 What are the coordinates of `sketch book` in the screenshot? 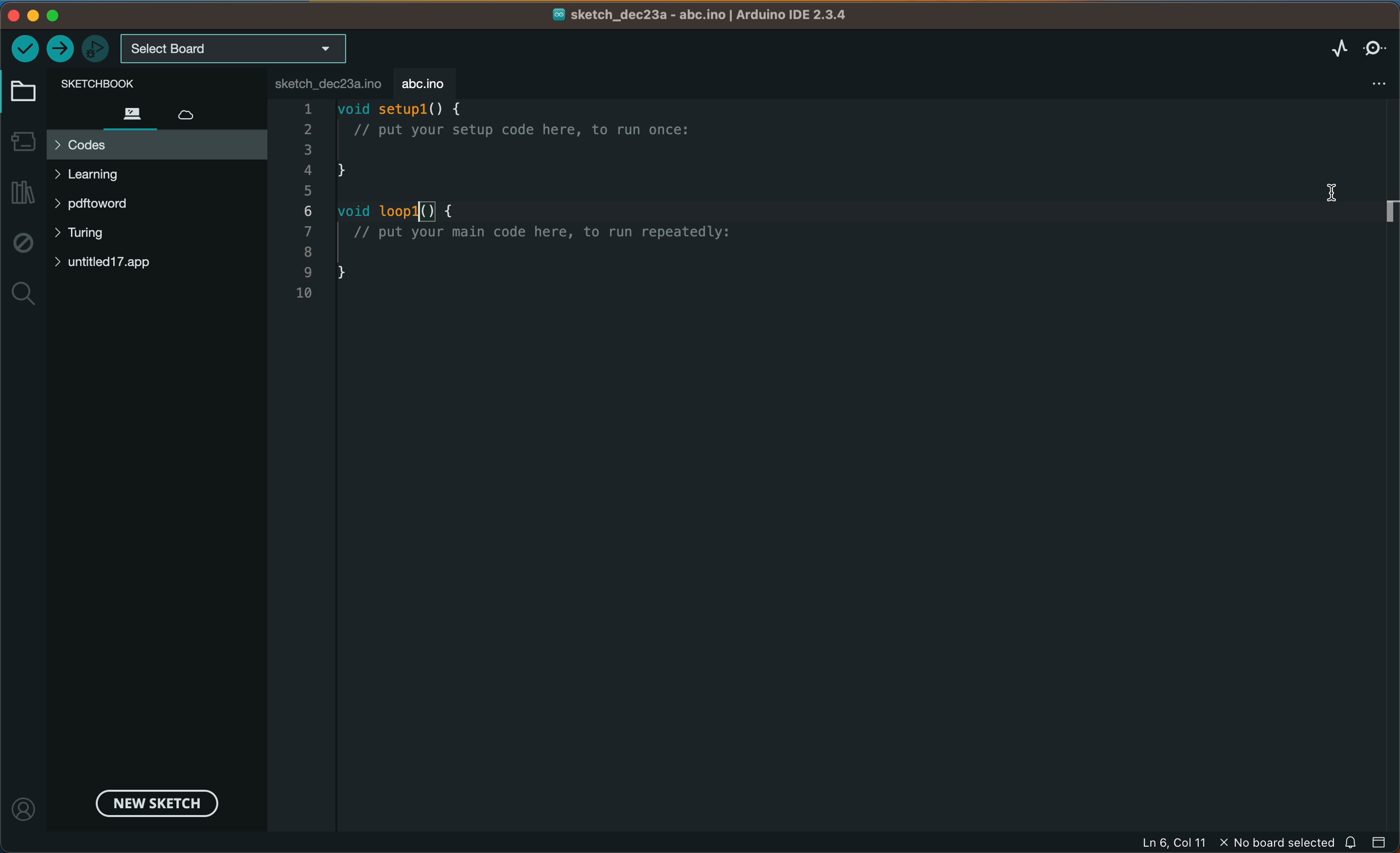 It's located at (105, 84).